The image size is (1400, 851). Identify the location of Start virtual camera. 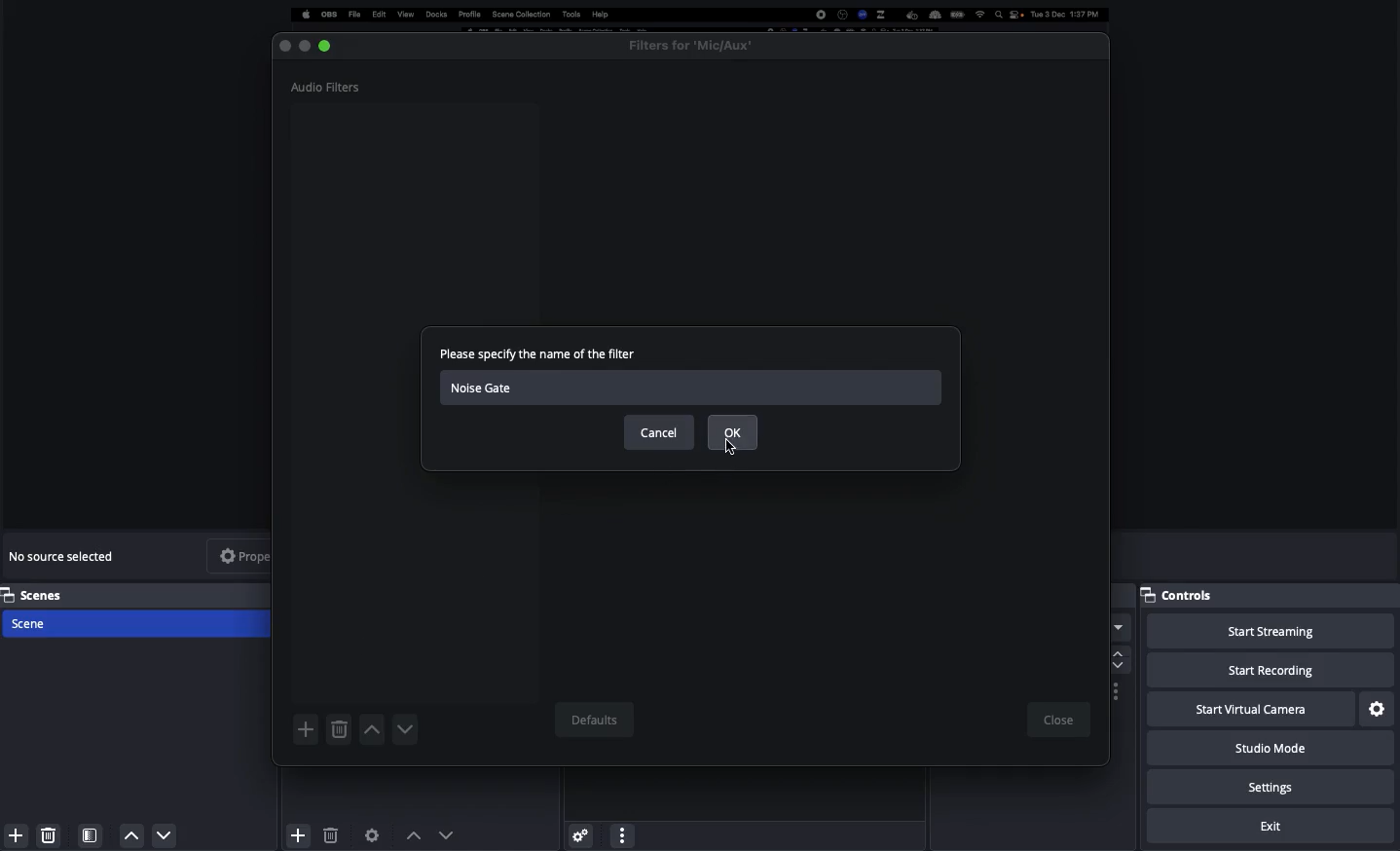
(1248, 710).